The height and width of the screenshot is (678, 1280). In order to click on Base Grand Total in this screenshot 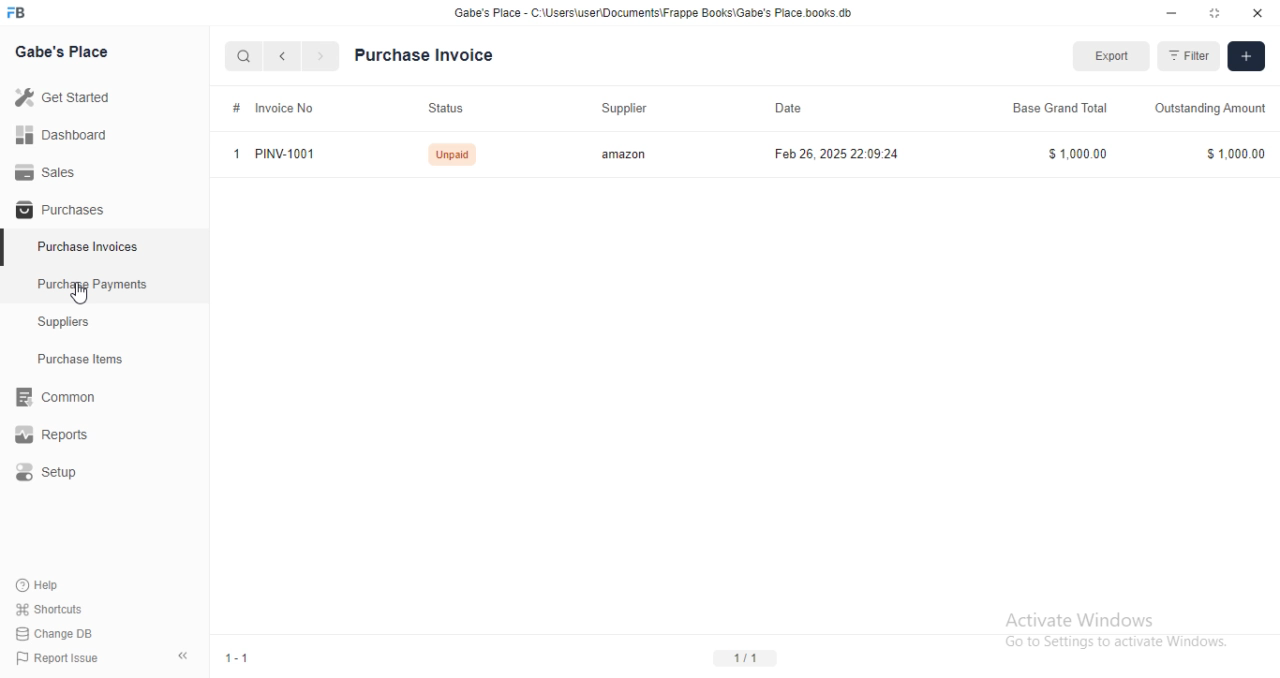, I will do `click(1059, 110)`.